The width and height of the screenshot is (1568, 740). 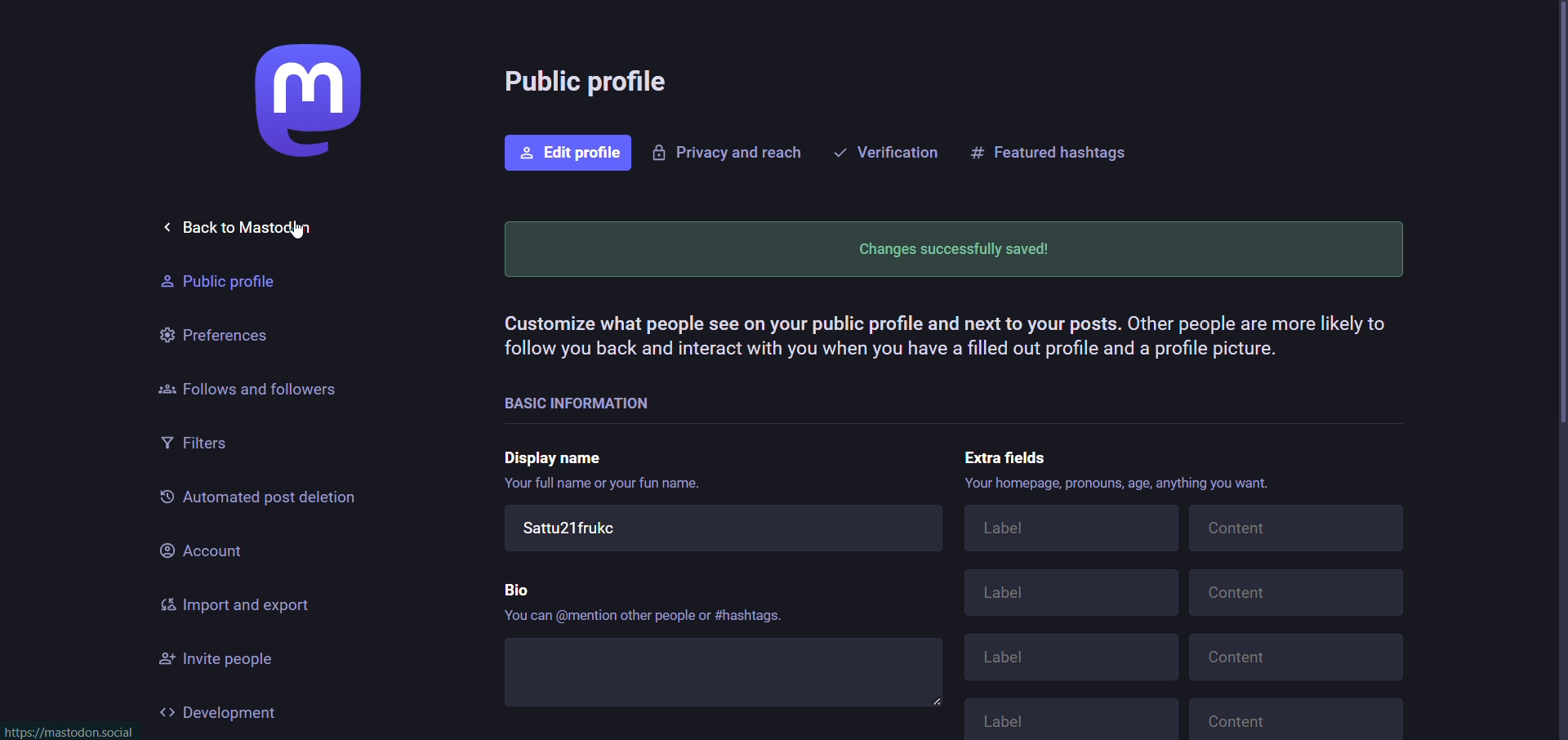 What do you see at coordinates (299, 229) in the screenshot?
I see `cursor` at bounding box center [299, 229].